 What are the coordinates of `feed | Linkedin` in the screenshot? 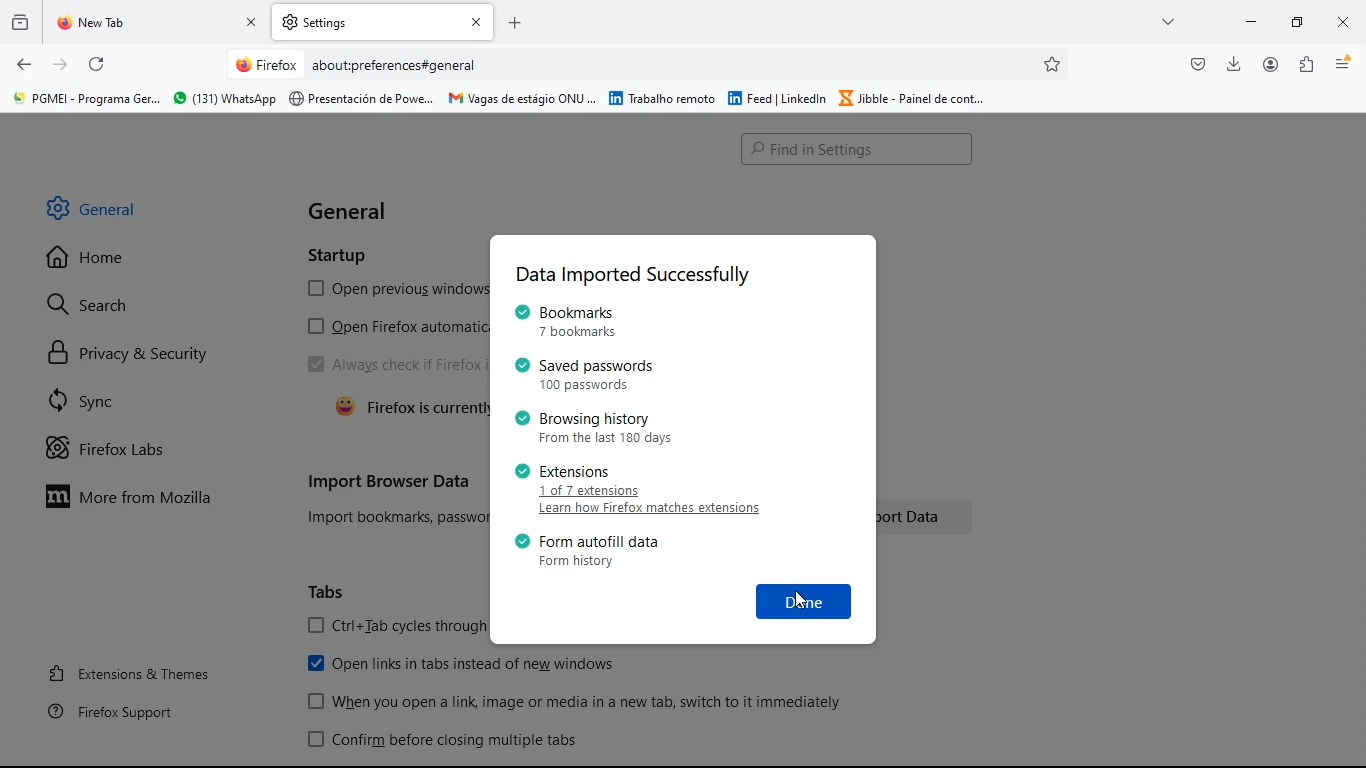 It's located at (778, 97).